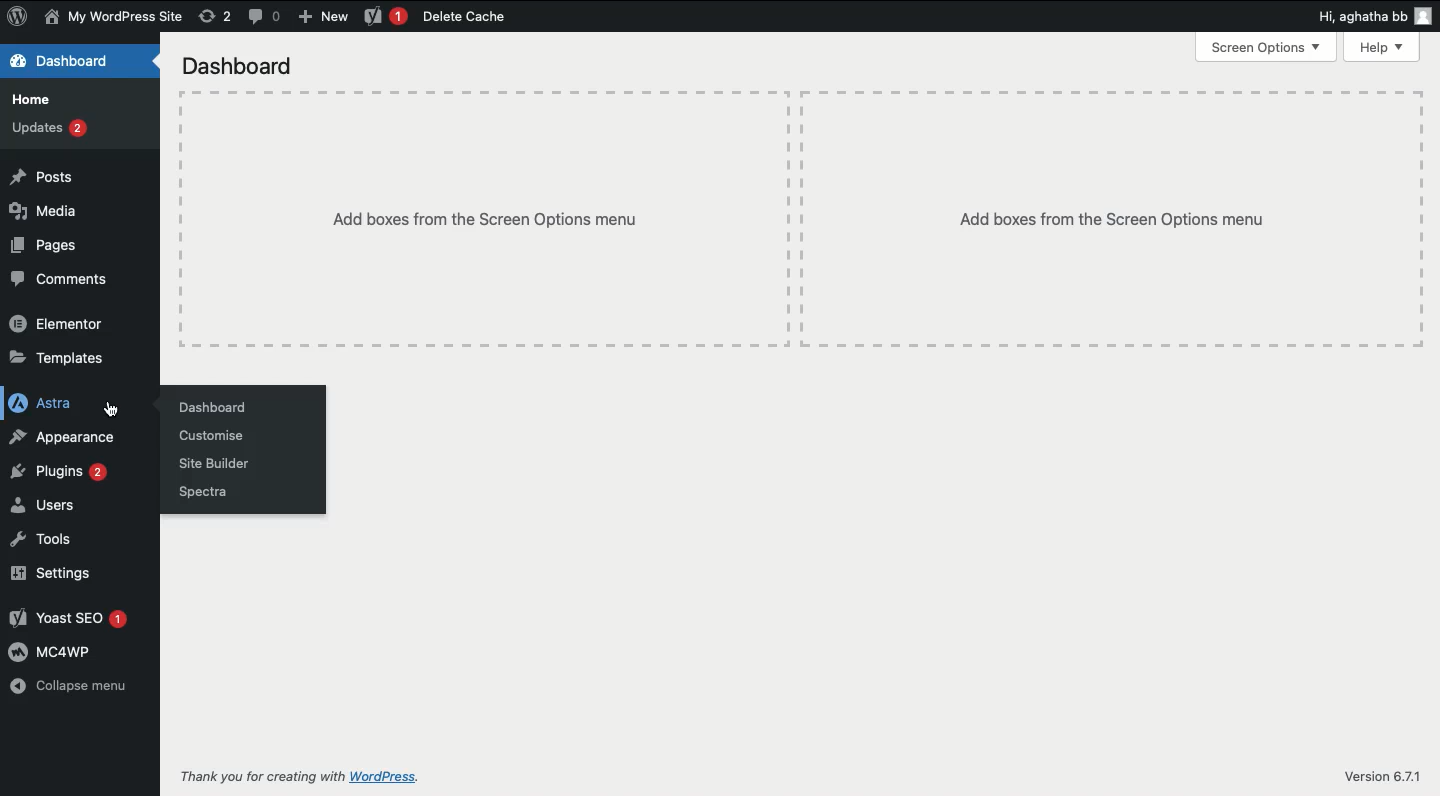 This screenshot has height=796, width=1440. I want to click on Yoast, so click(69, 617).